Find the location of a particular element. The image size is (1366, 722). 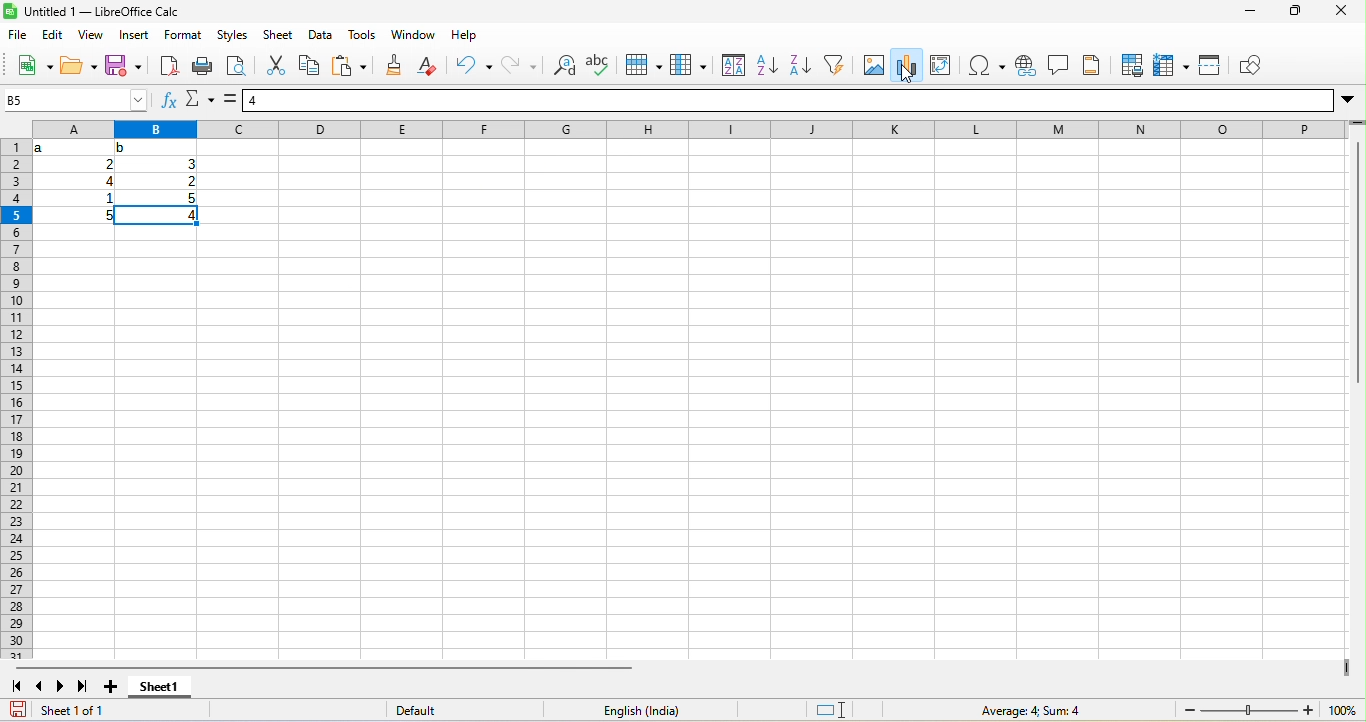

clone formatting is located at coordinates (393, 64).